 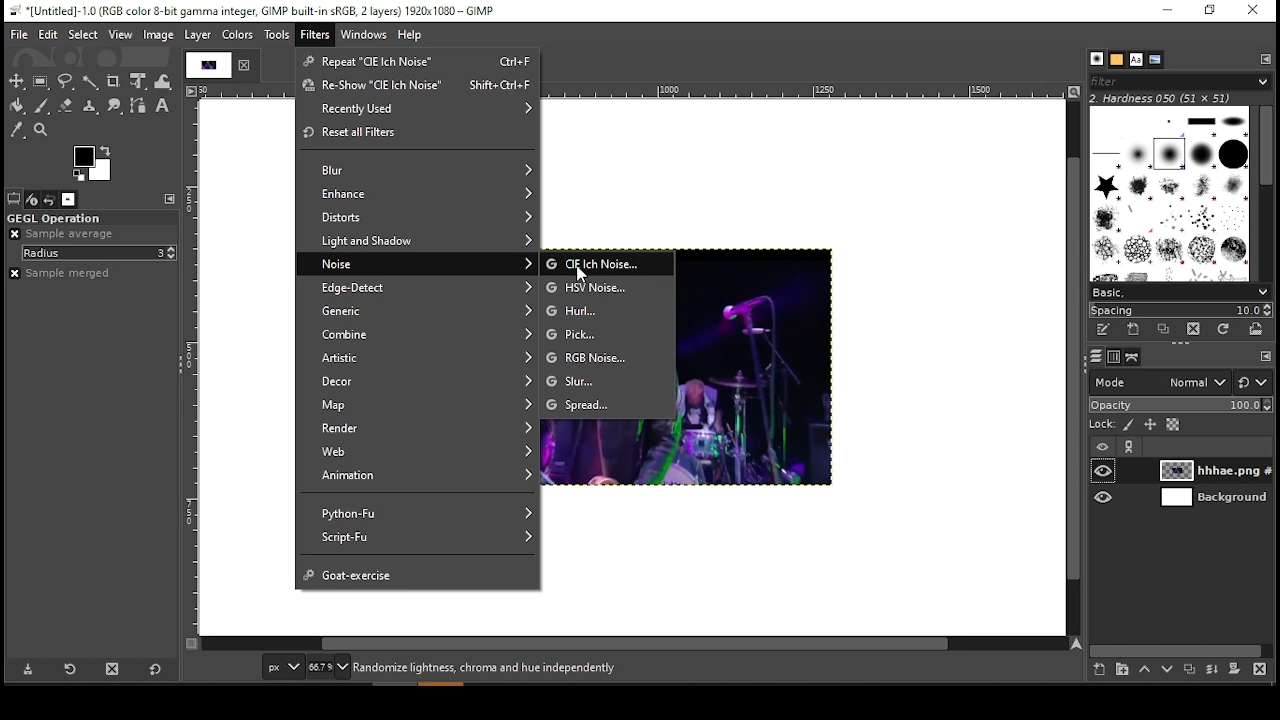 I want to click on edge detect, so click(x=421, y=288).